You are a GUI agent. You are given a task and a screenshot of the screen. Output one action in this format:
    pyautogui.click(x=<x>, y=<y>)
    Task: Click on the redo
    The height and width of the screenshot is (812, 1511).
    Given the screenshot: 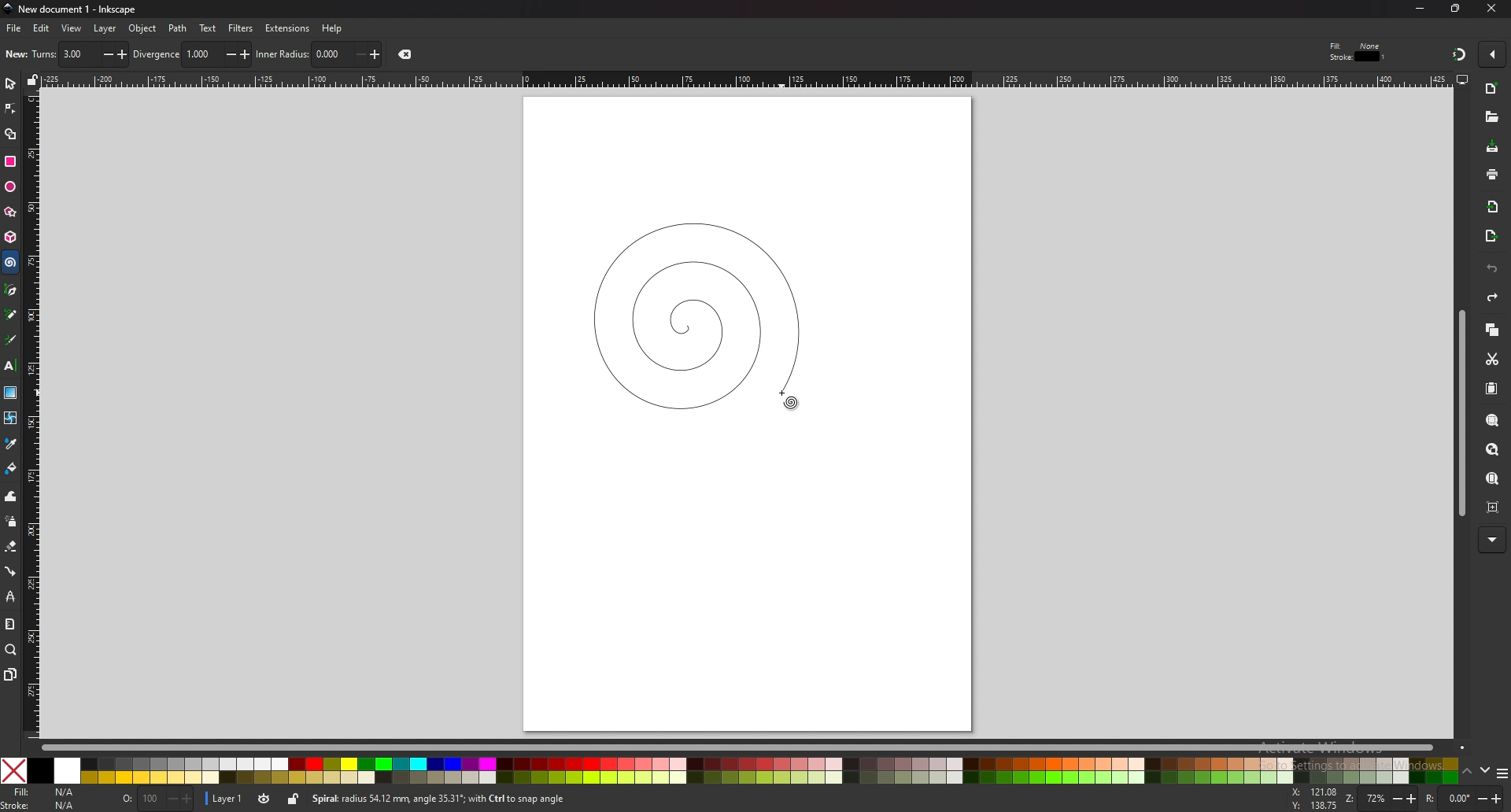 What is the action you would take?
    pyautogui.click(x=1494, y=297)
    